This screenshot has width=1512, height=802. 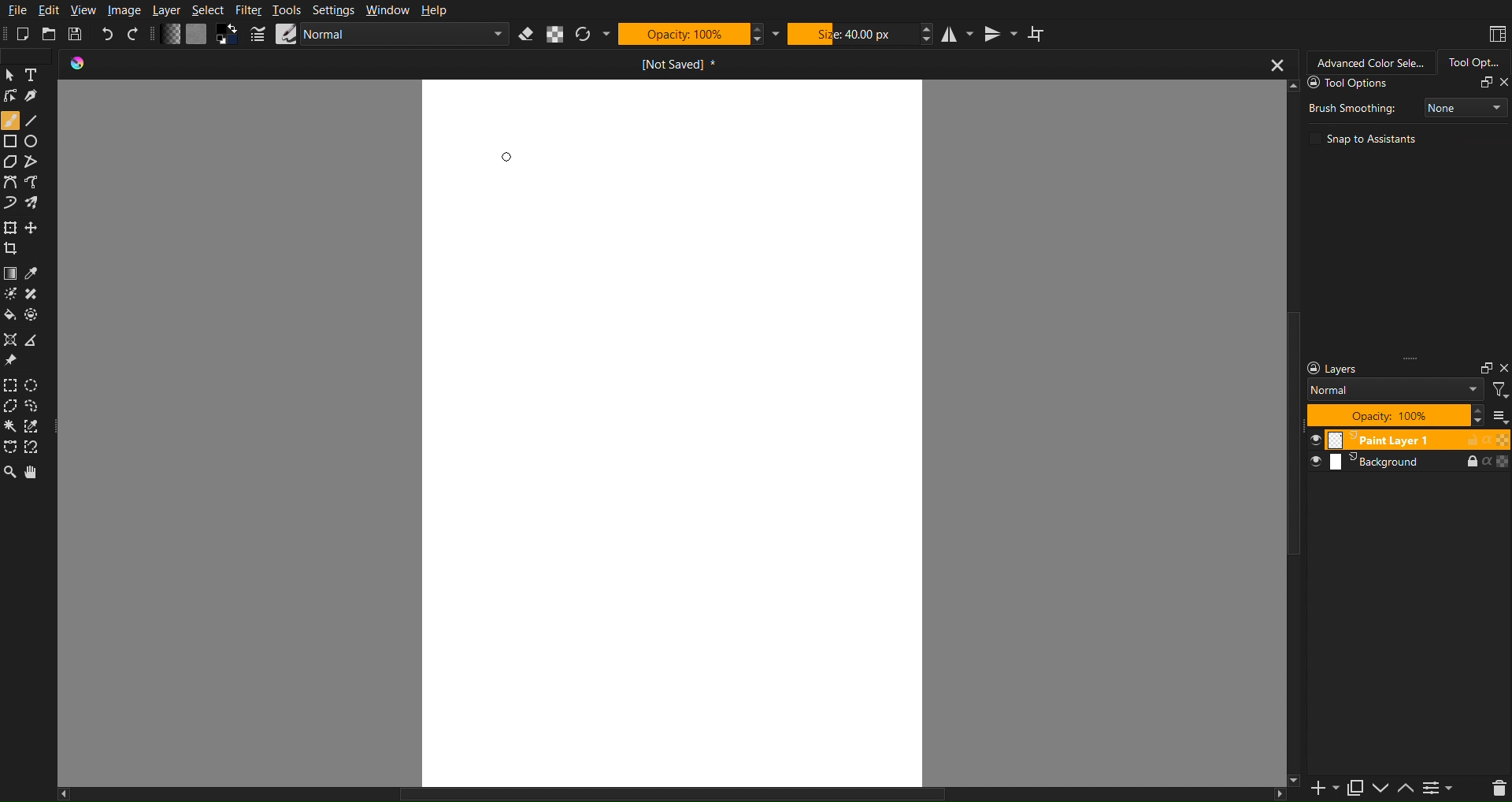 I want to click on Close, so click(x=1503, y=83).